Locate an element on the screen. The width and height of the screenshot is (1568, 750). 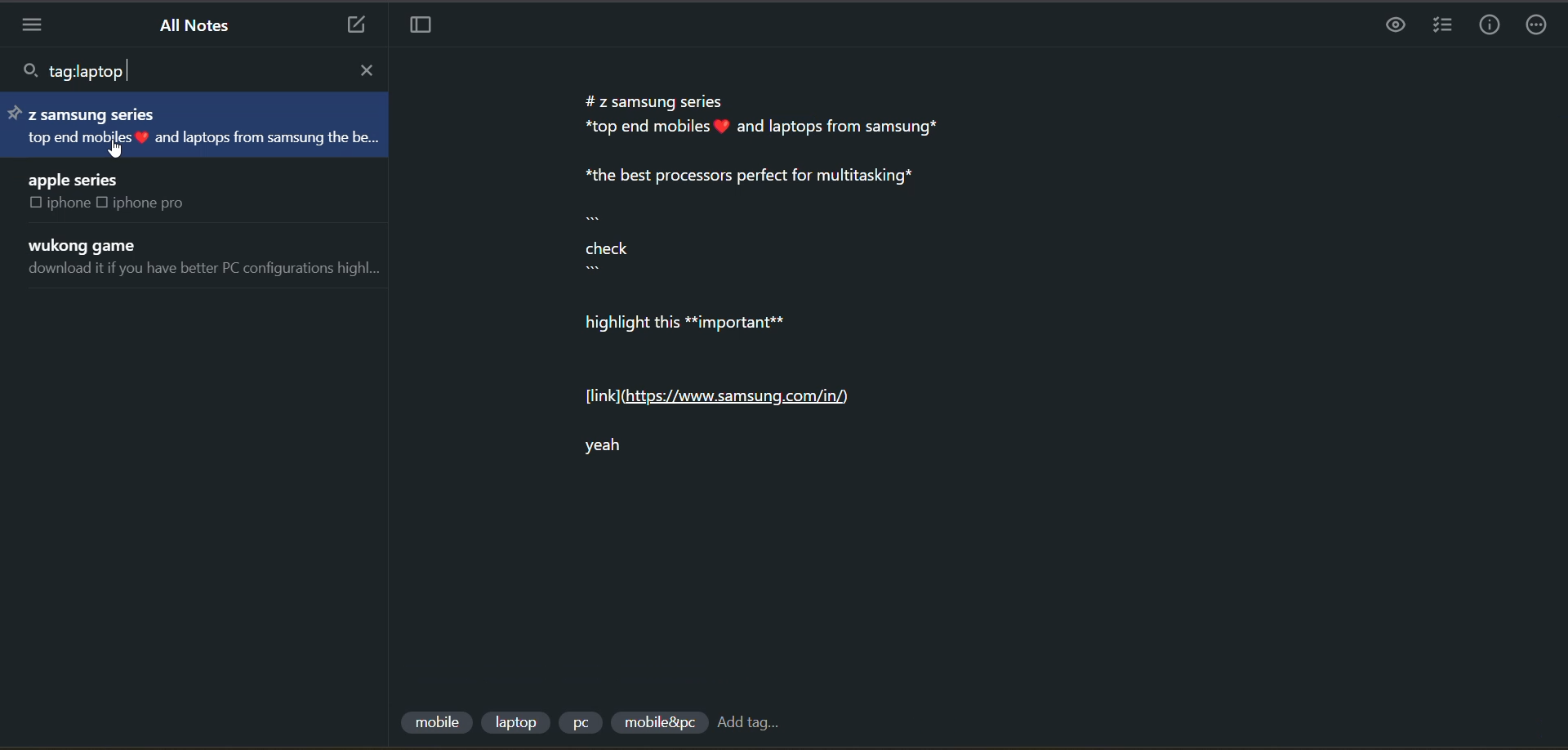
laptop is located at coordinates (517, 720).